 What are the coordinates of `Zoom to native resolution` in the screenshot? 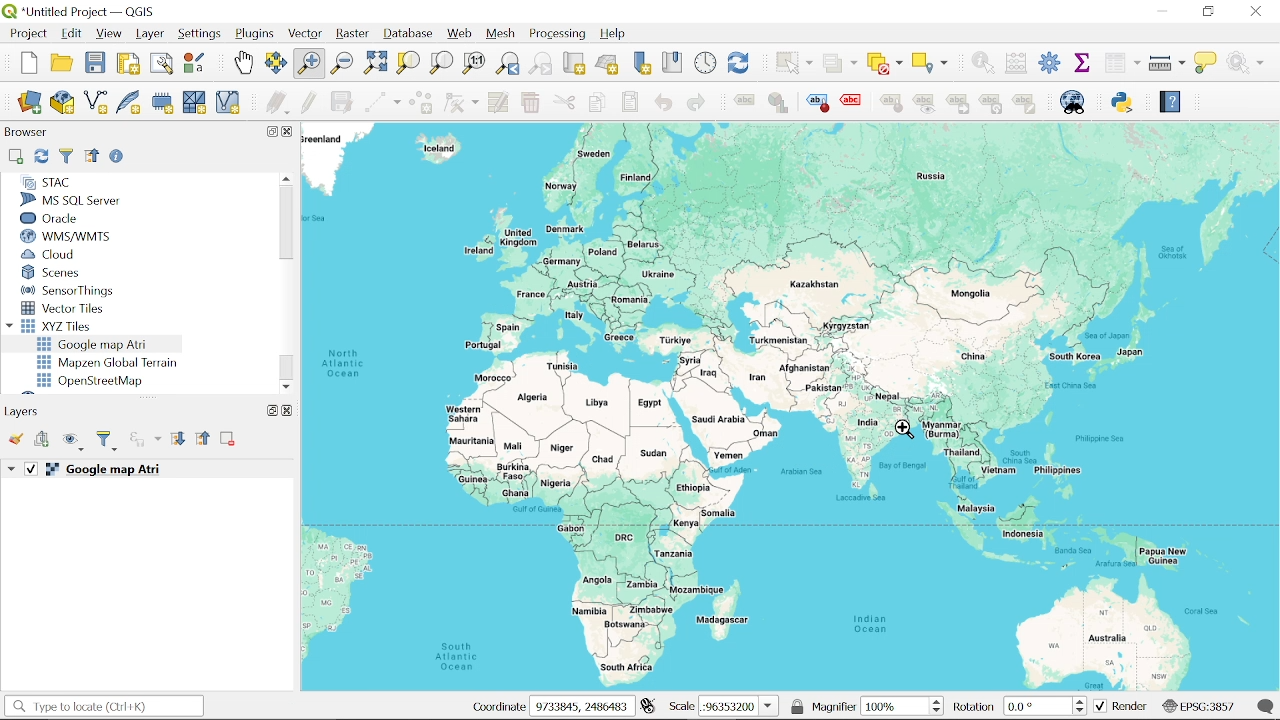 It's located at (474, 62).